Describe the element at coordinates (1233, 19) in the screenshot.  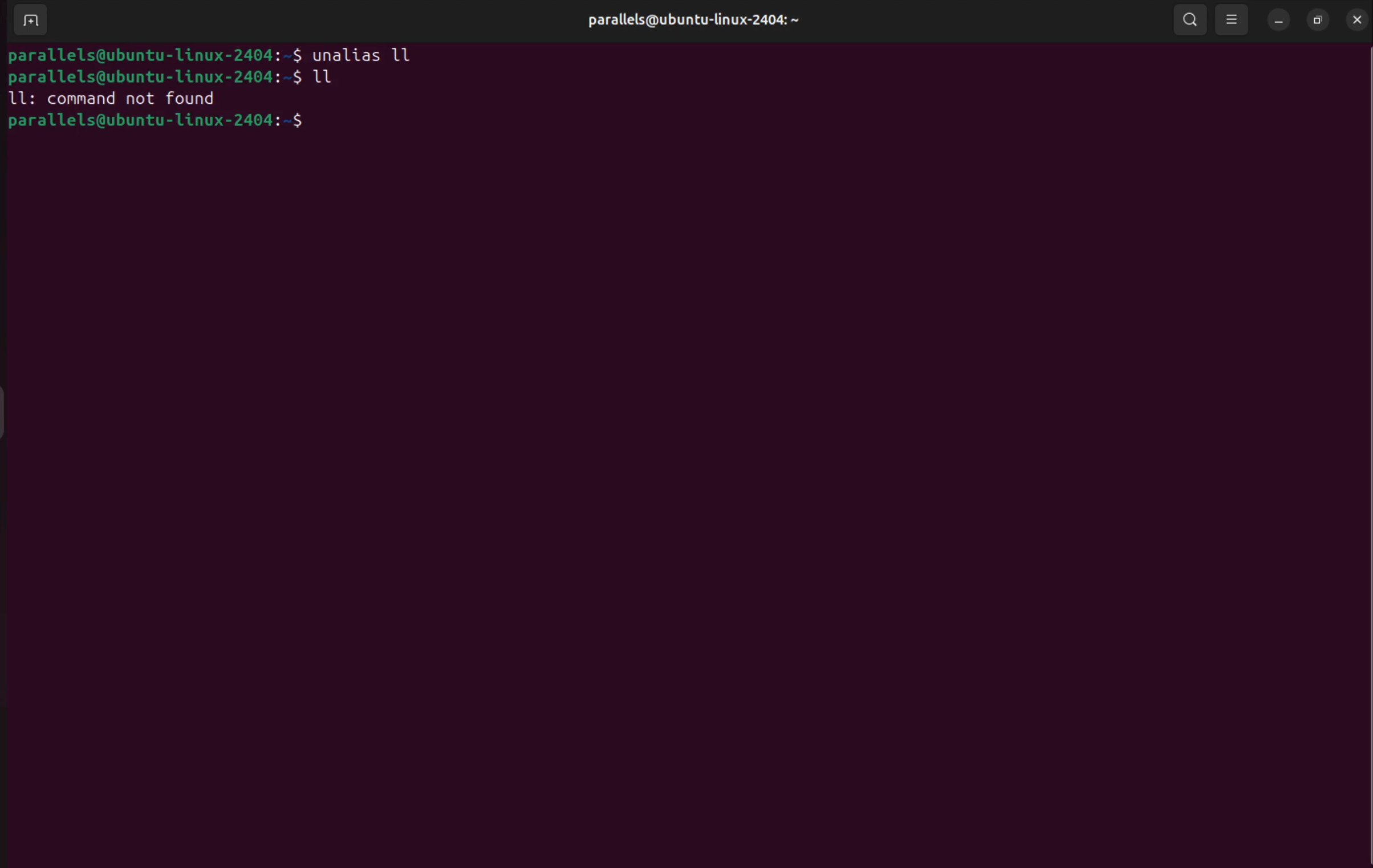
I see `view option` at that location.